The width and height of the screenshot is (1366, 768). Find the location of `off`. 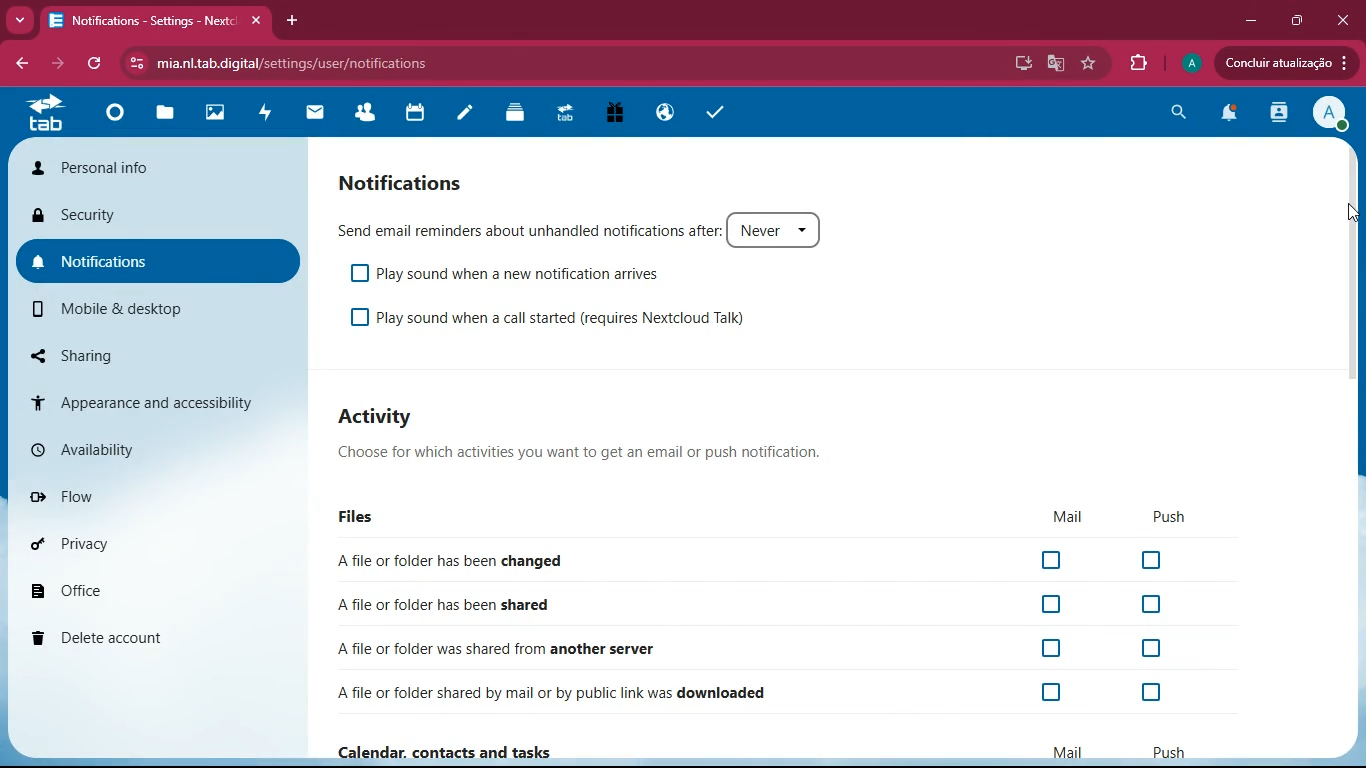

off is located at coordinates (1056, 603).